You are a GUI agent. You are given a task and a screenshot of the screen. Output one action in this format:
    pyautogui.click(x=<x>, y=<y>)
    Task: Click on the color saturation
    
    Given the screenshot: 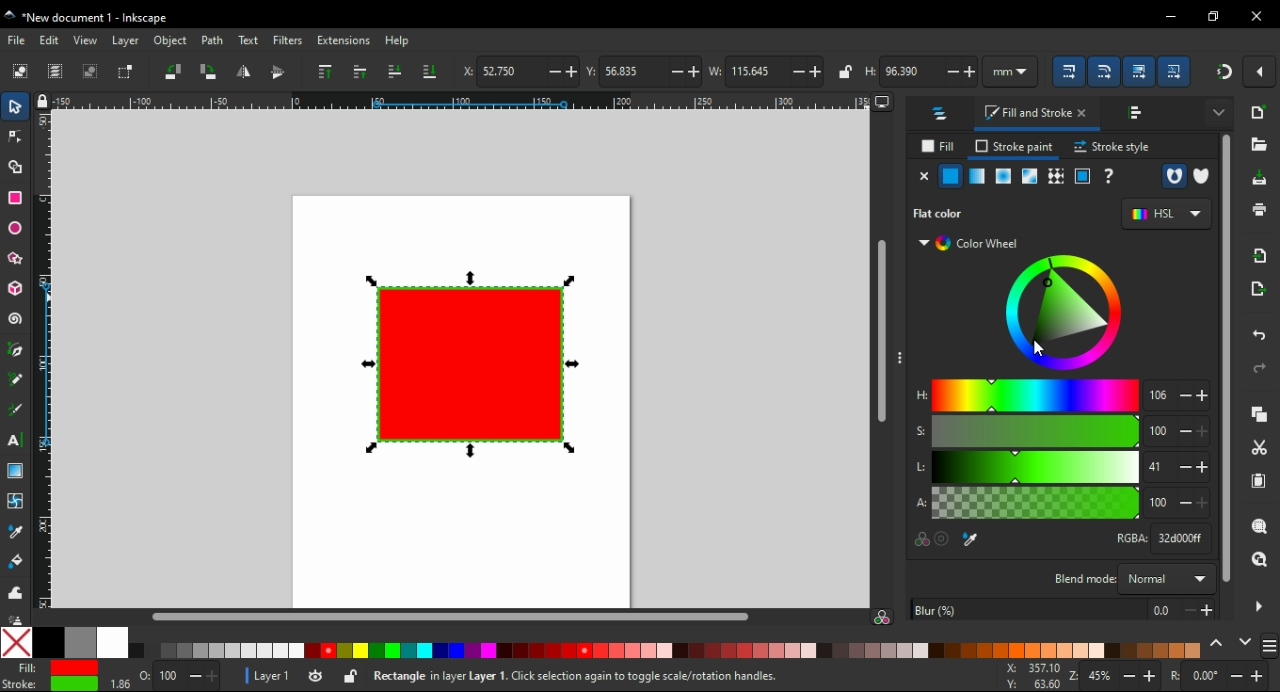 What is the action you would take?
    pyautogui.click(x=882, y=615)
    